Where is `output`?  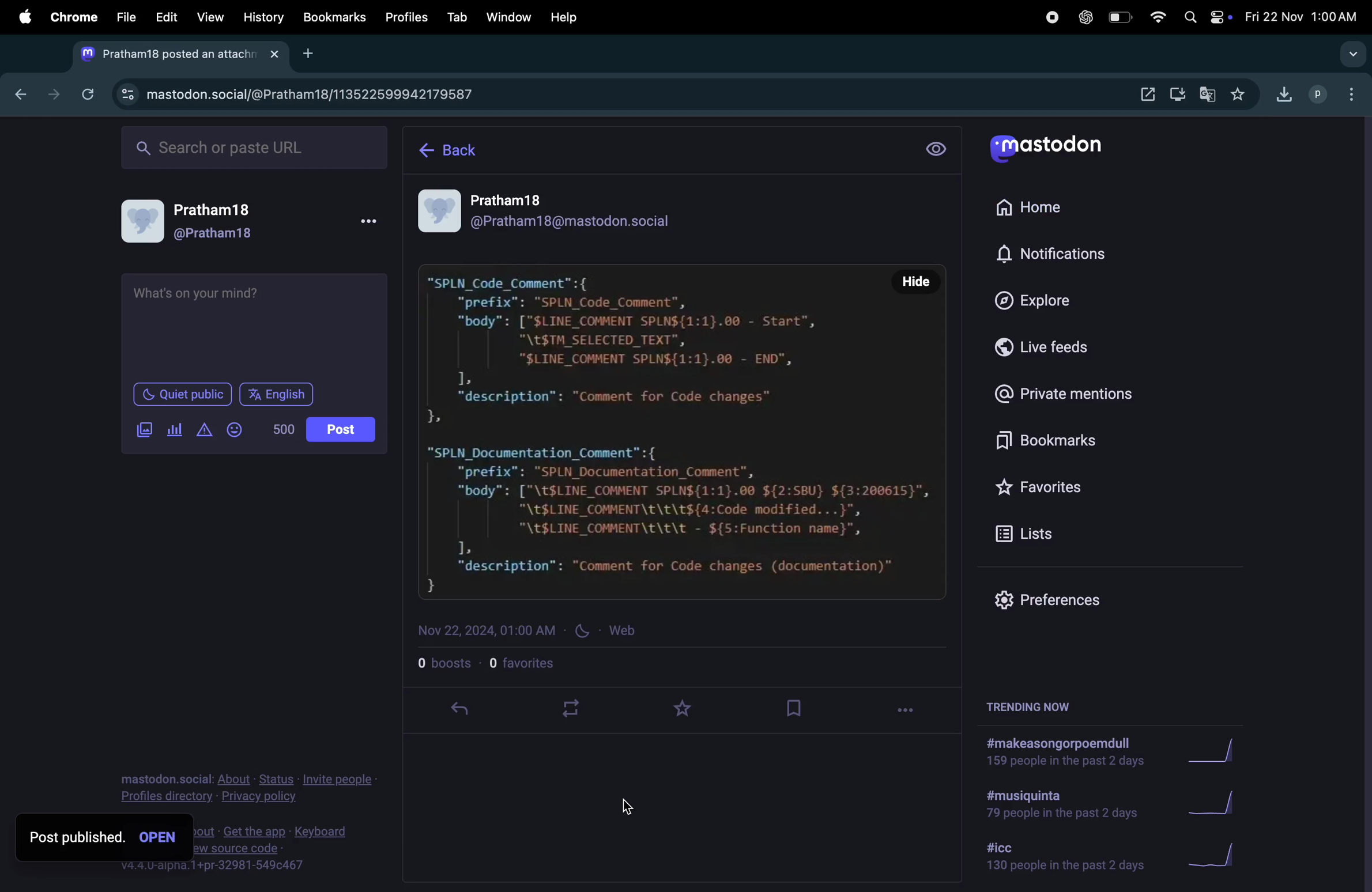 output is located at coordinates (1147, 93).